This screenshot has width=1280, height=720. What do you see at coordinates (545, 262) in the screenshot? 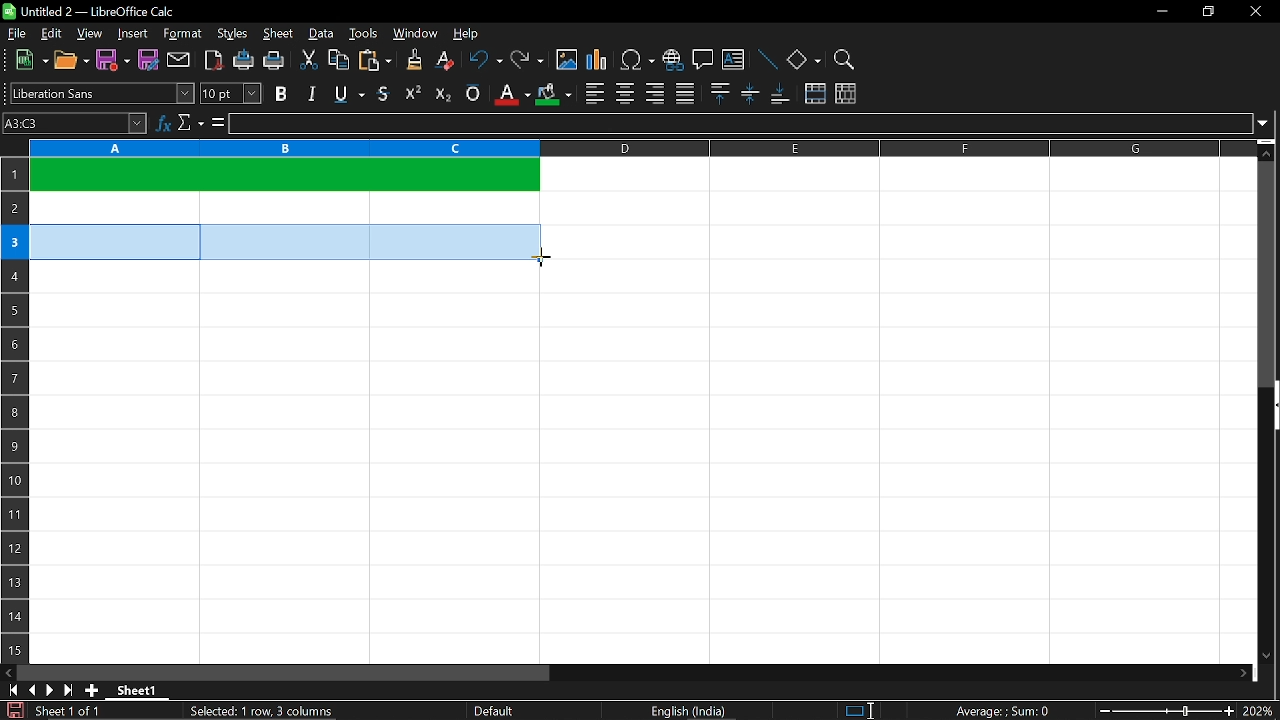
I see `Cursor` at bounding box center [545, 262].